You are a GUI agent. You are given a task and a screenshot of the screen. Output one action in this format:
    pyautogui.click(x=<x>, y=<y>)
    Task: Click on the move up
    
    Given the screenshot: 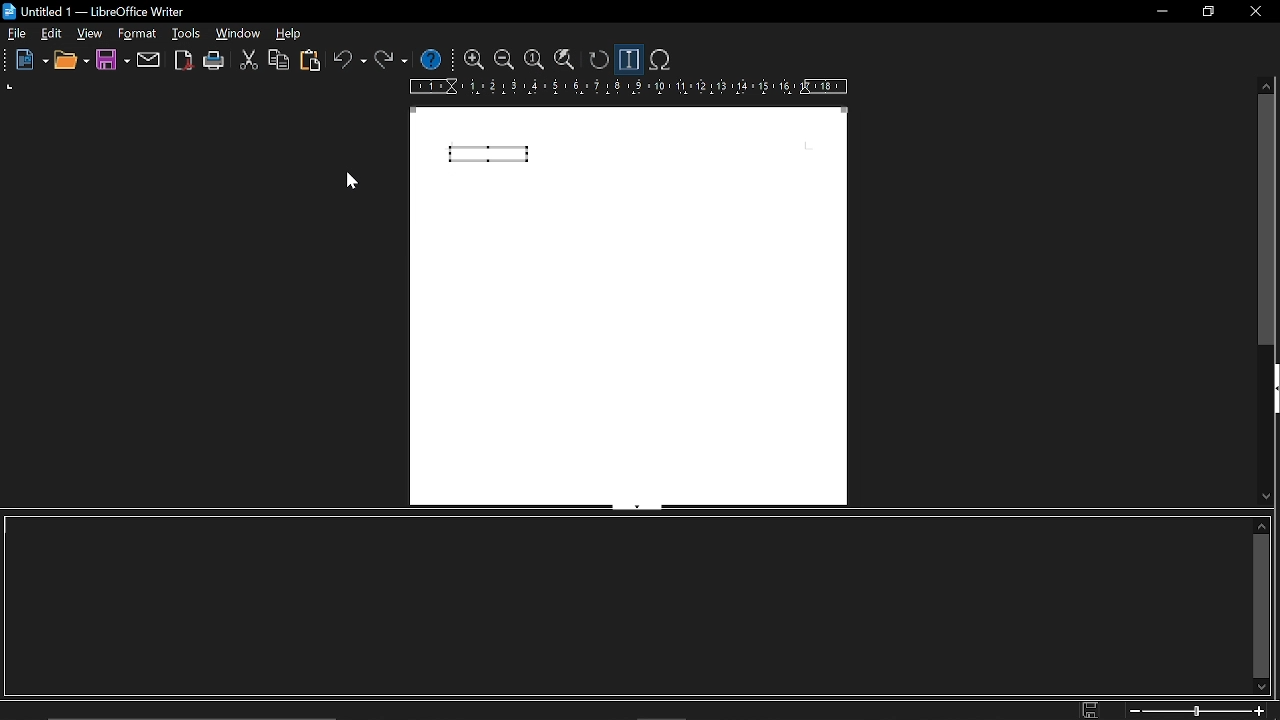 What is the action you would take?
    pyautogui.click(x=1261, y=525)
    